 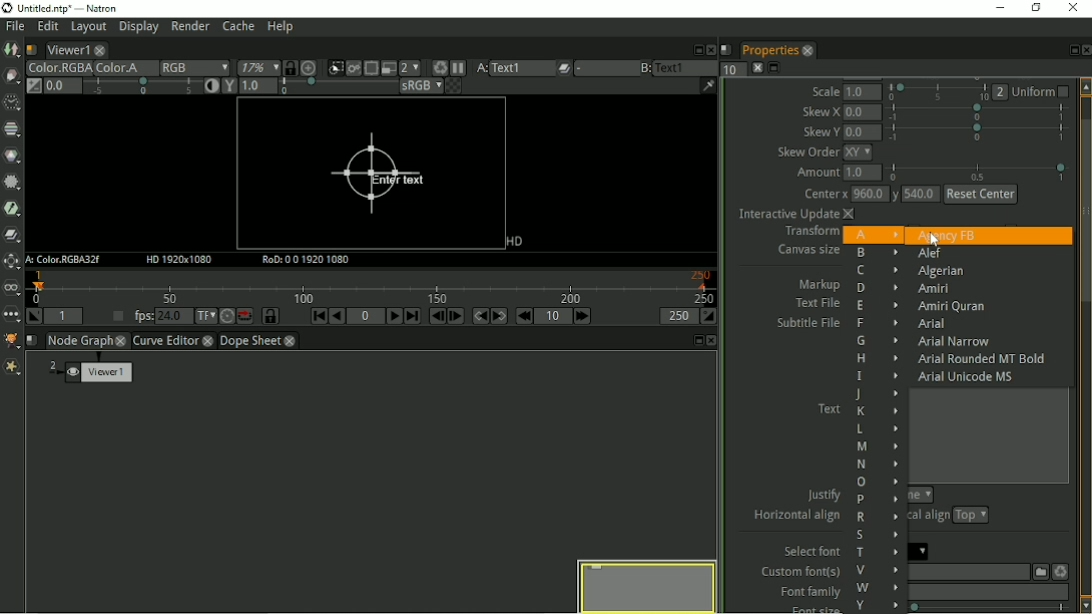 I want to click on Switch between "Neutral" 1.0 gain f-stop and the previous setting , so click(x=33, y=86).